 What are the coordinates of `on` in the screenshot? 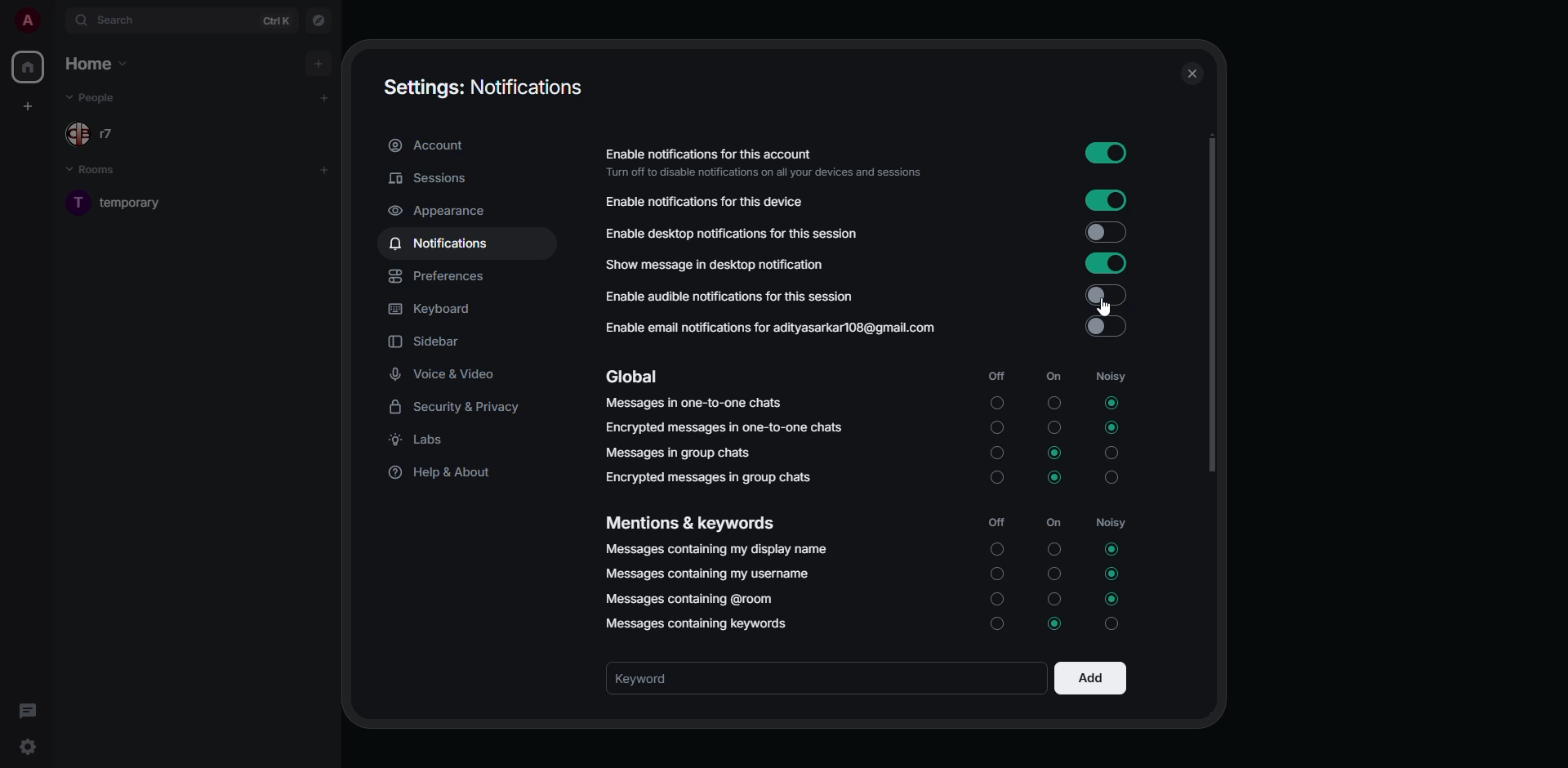 It's located at (1051, 377).